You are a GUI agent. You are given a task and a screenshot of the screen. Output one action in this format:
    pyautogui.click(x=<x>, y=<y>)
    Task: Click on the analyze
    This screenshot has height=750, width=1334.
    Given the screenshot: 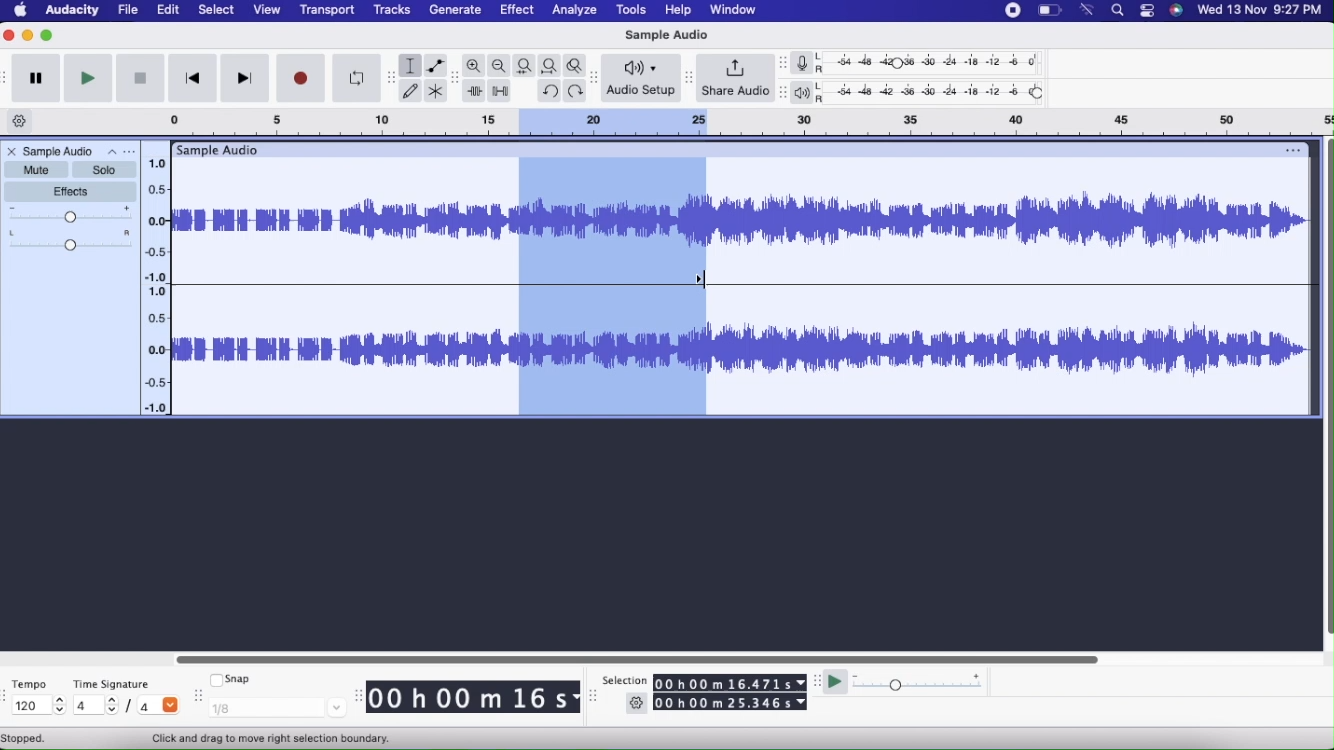 What is the action you would take?
    pyautogui.click(x=576, y=11)
    